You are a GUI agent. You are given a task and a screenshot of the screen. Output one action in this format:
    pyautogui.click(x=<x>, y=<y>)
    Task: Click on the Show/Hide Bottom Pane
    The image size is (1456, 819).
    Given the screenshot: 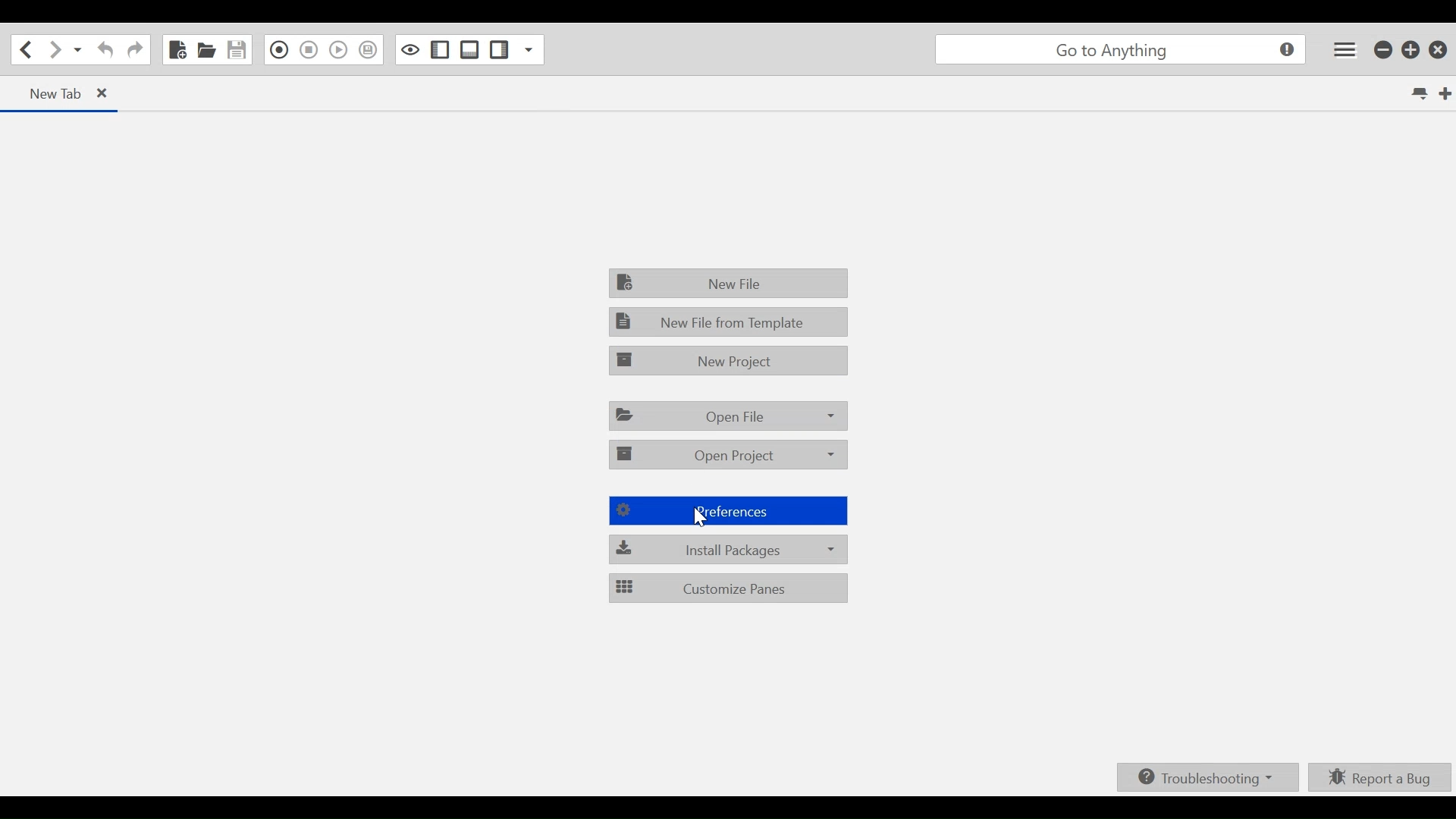 What is the action you would take?
    pyautogui.click(x=468, y=50)
    